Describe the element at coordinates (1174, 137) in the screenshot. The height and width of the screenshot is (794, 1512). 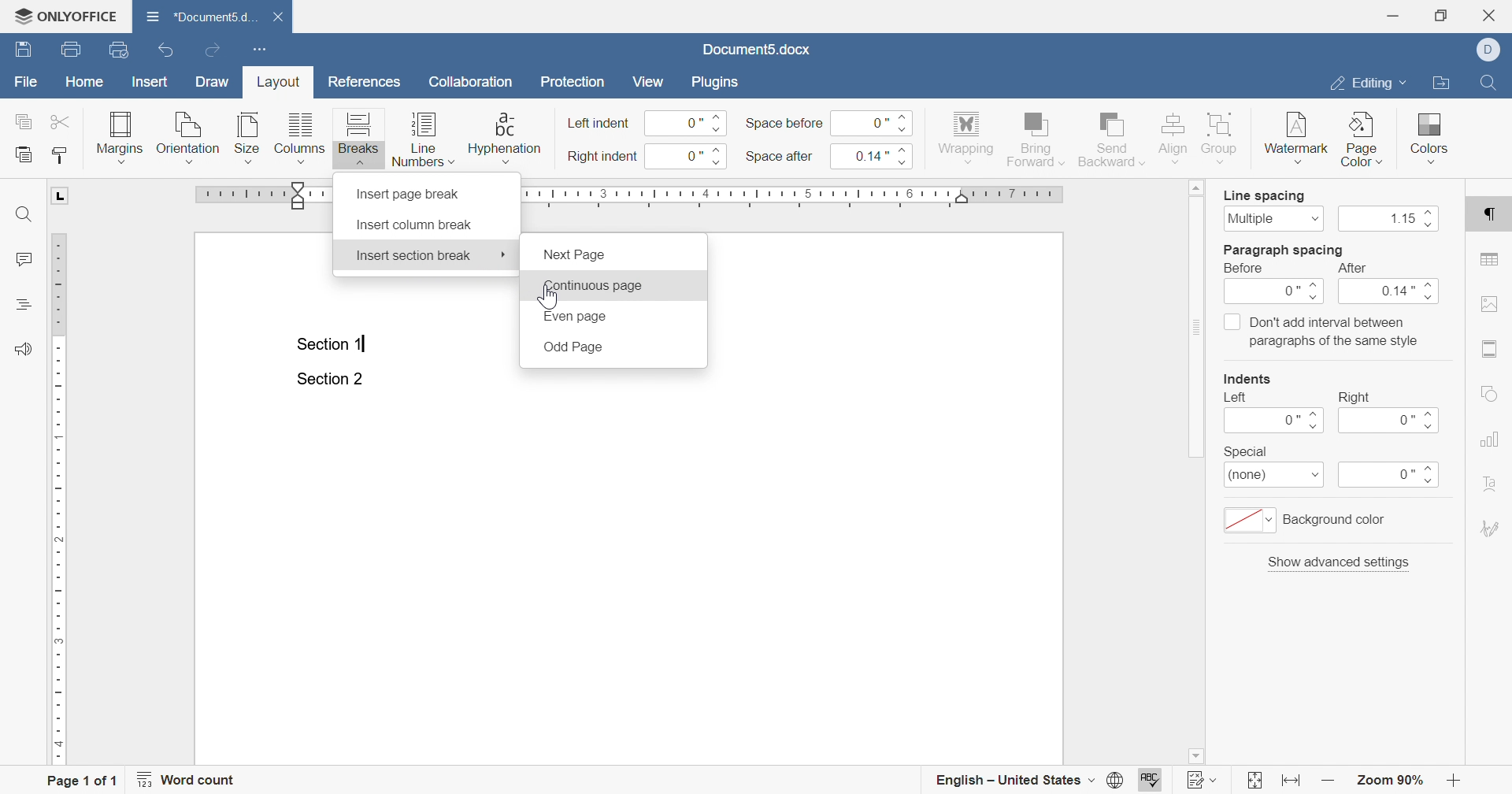
I see `align` at that location.